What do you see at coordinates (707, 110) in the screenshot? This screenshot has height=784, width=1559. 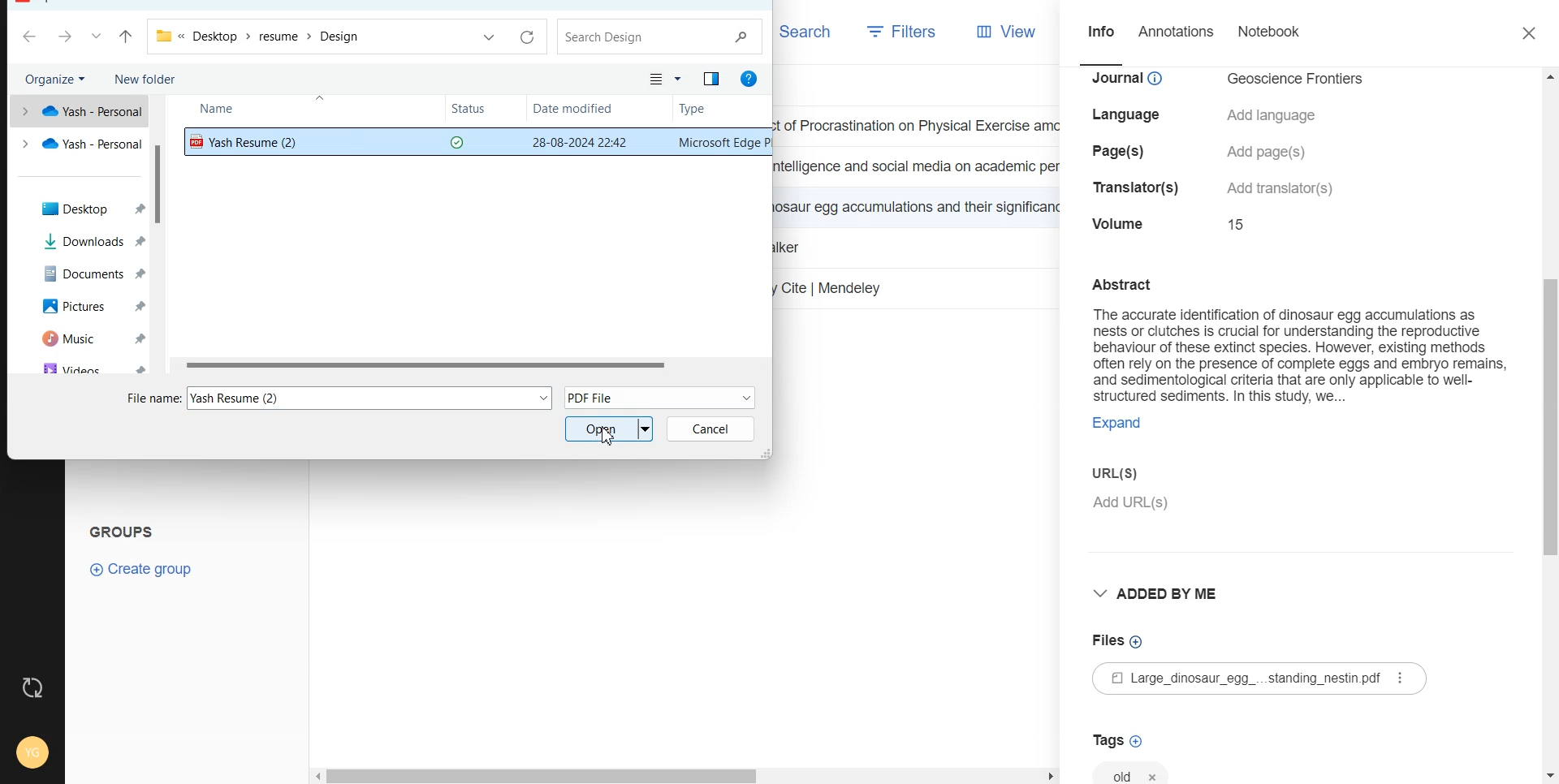 I see `Type` at bounding box center [707, 110].